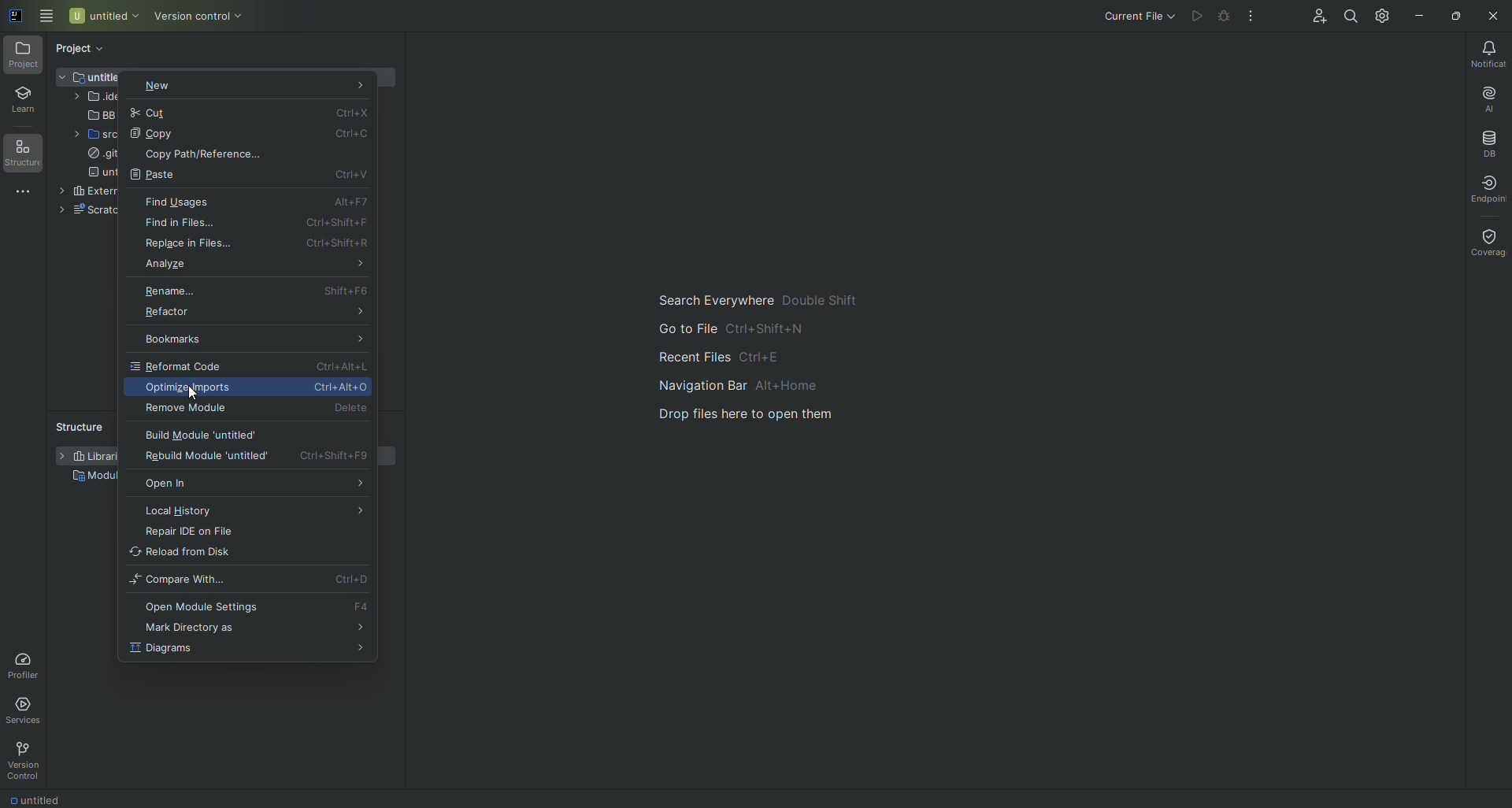  What do you see at coordinates (27, 761) in the screenshot?
I see `Version Control` at bounding box center [27, 761].